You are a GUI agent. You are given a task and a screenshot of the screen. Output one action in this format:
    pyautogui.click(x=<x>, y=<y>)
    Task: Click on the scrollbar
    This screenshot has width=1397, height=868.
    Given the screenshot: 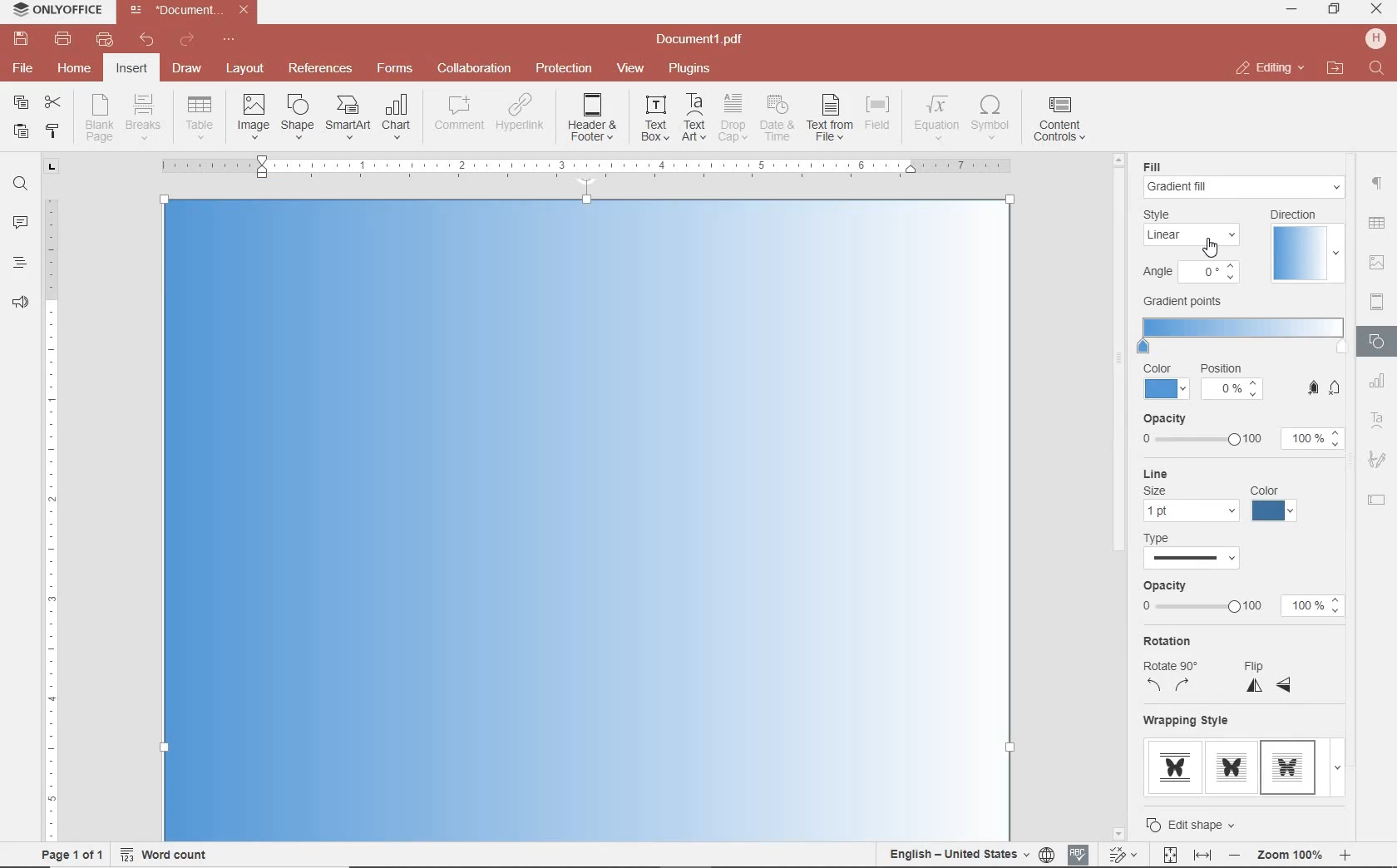 What is the action you would take?
    pyautogui.click(x=1354, y=644)
    